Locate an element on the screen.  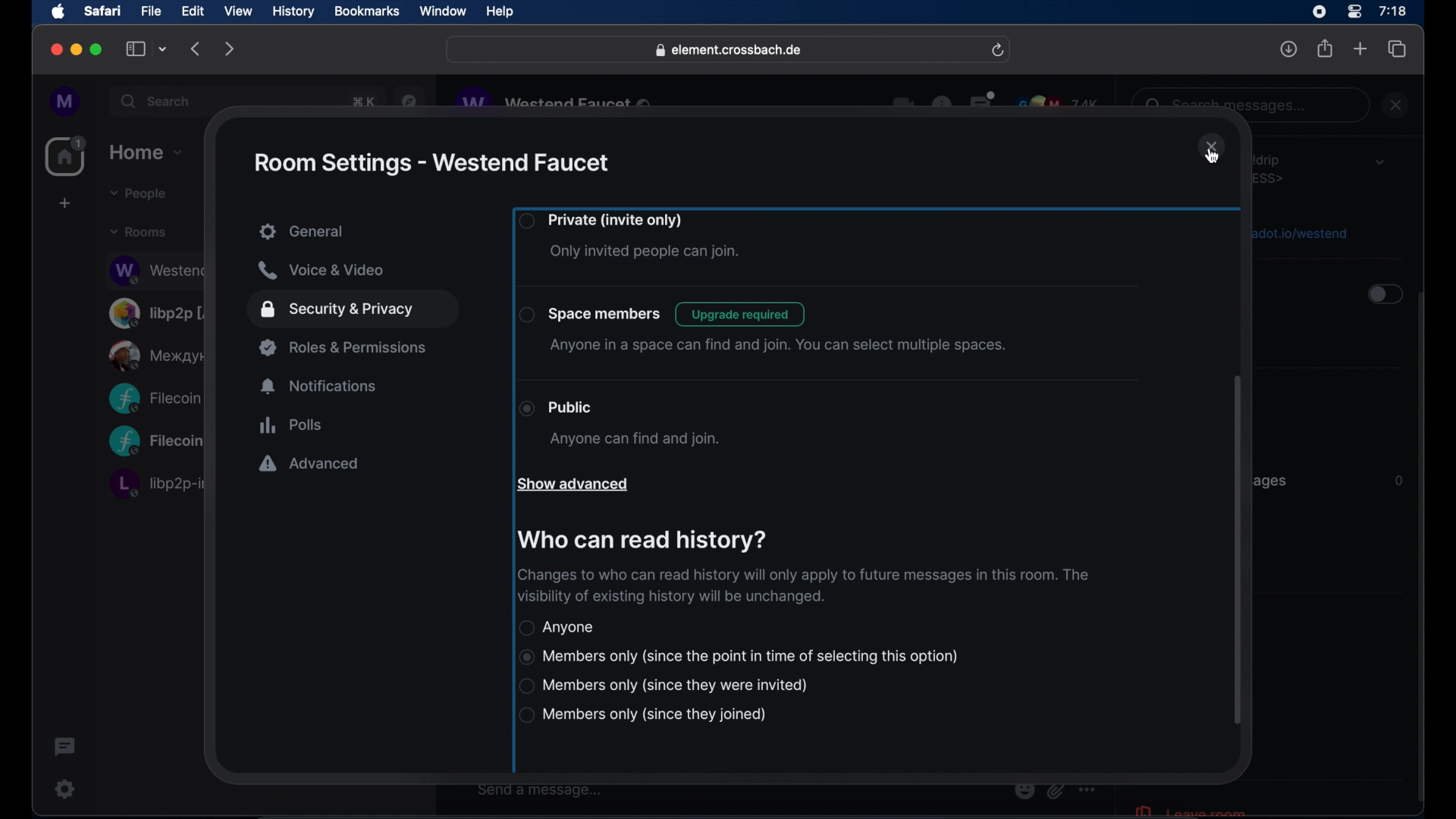
scroll bar is located at coordinates (1422, 549).